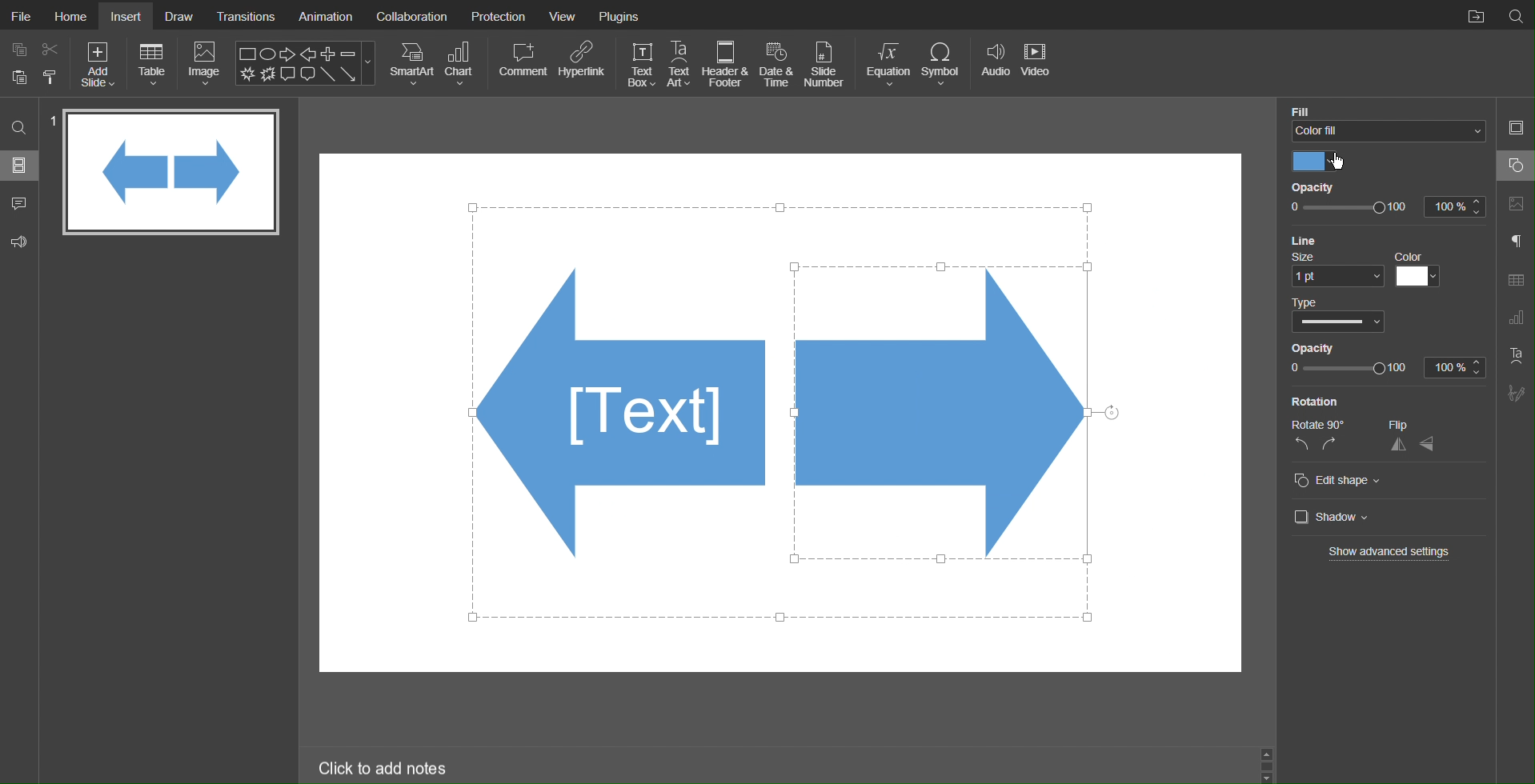  What do you see at coordinates (1322, 402) in the screenshot?
I see `Rotation` at bounding box center [1322, 402].